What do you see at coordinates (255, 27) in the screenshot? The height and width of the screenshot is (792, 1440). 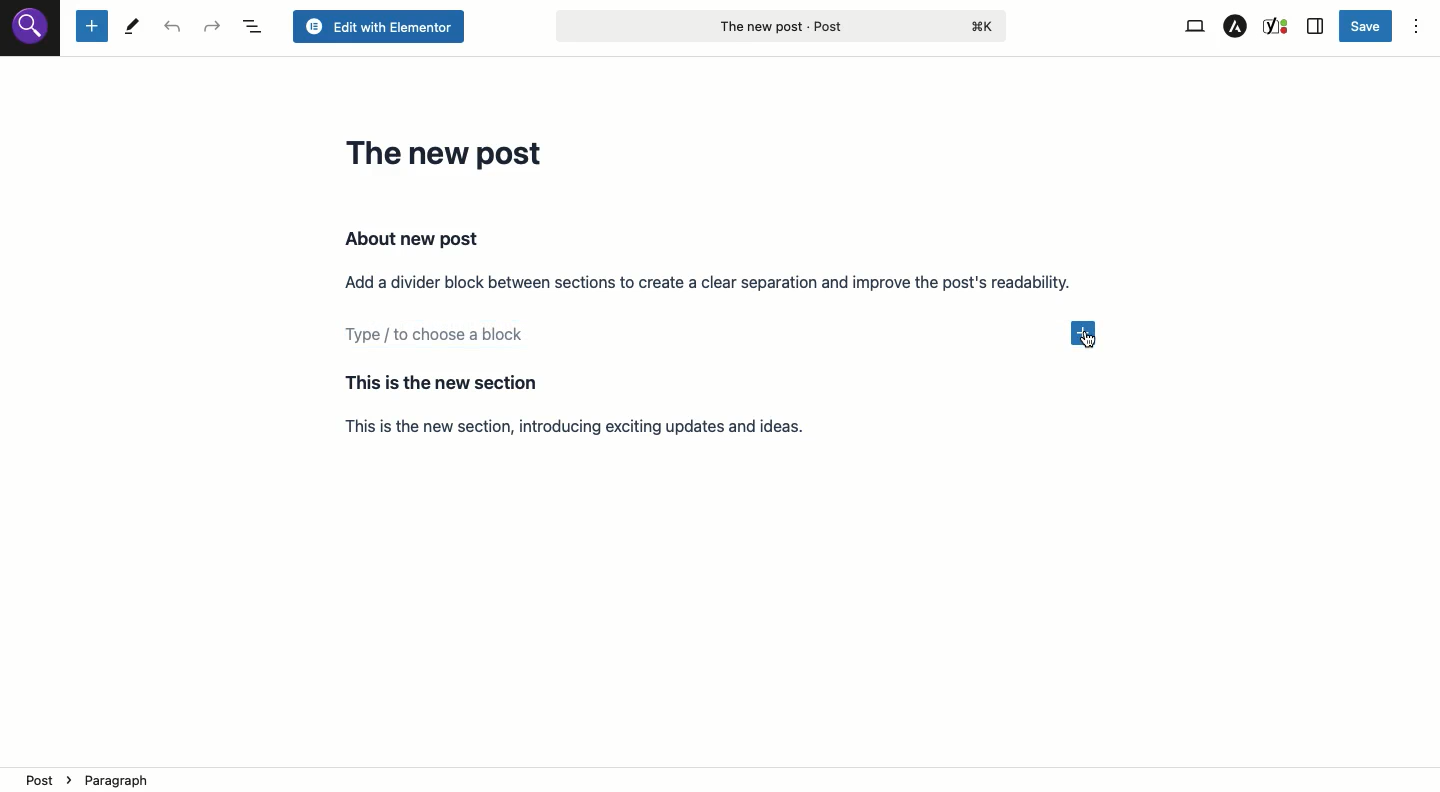 I see `Document overview` at bounding box center [255, 27].